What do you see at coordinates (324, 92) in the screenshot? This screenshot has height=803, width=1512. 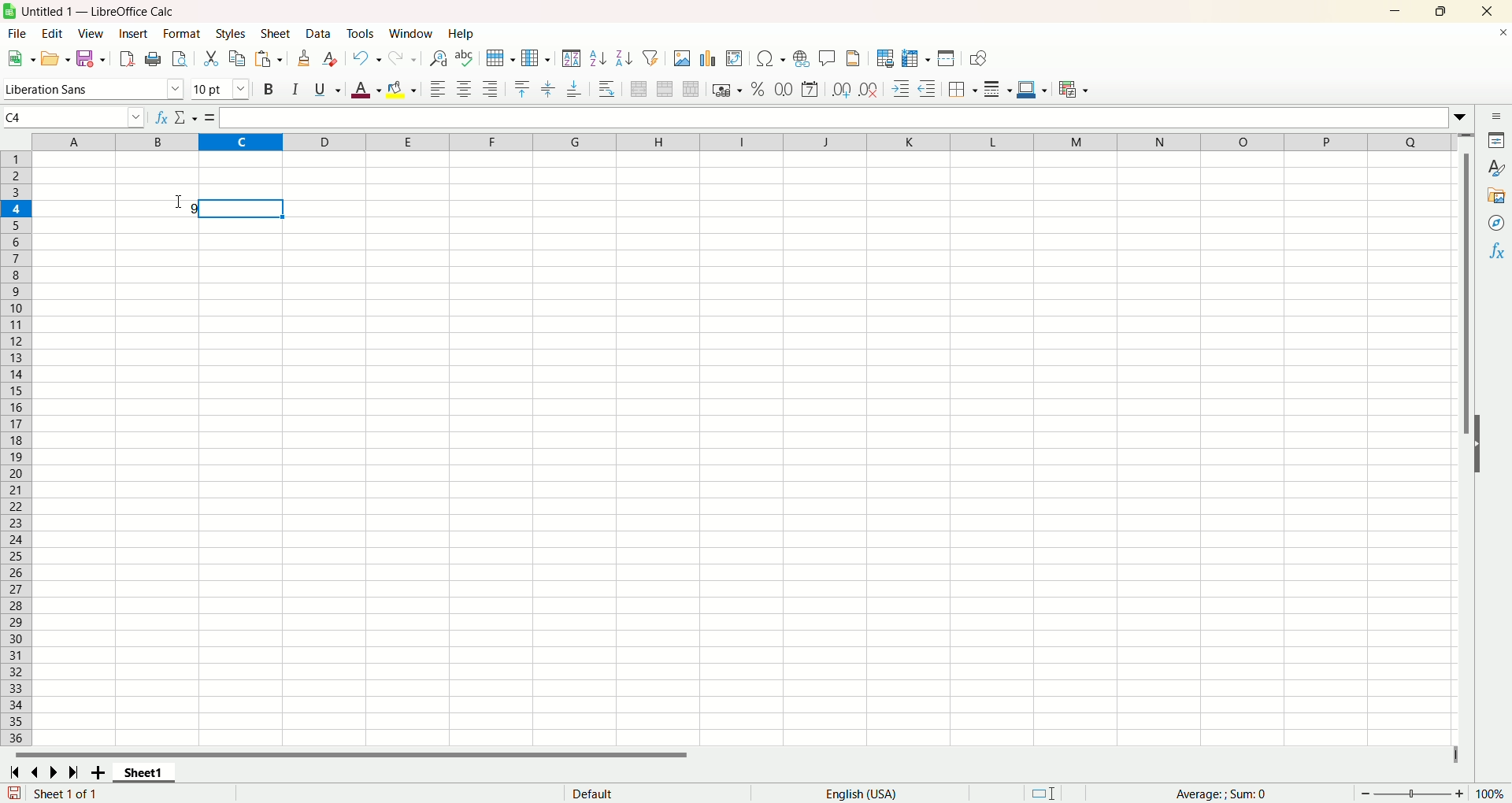 I see `underline` at bounding box center [324, 92].